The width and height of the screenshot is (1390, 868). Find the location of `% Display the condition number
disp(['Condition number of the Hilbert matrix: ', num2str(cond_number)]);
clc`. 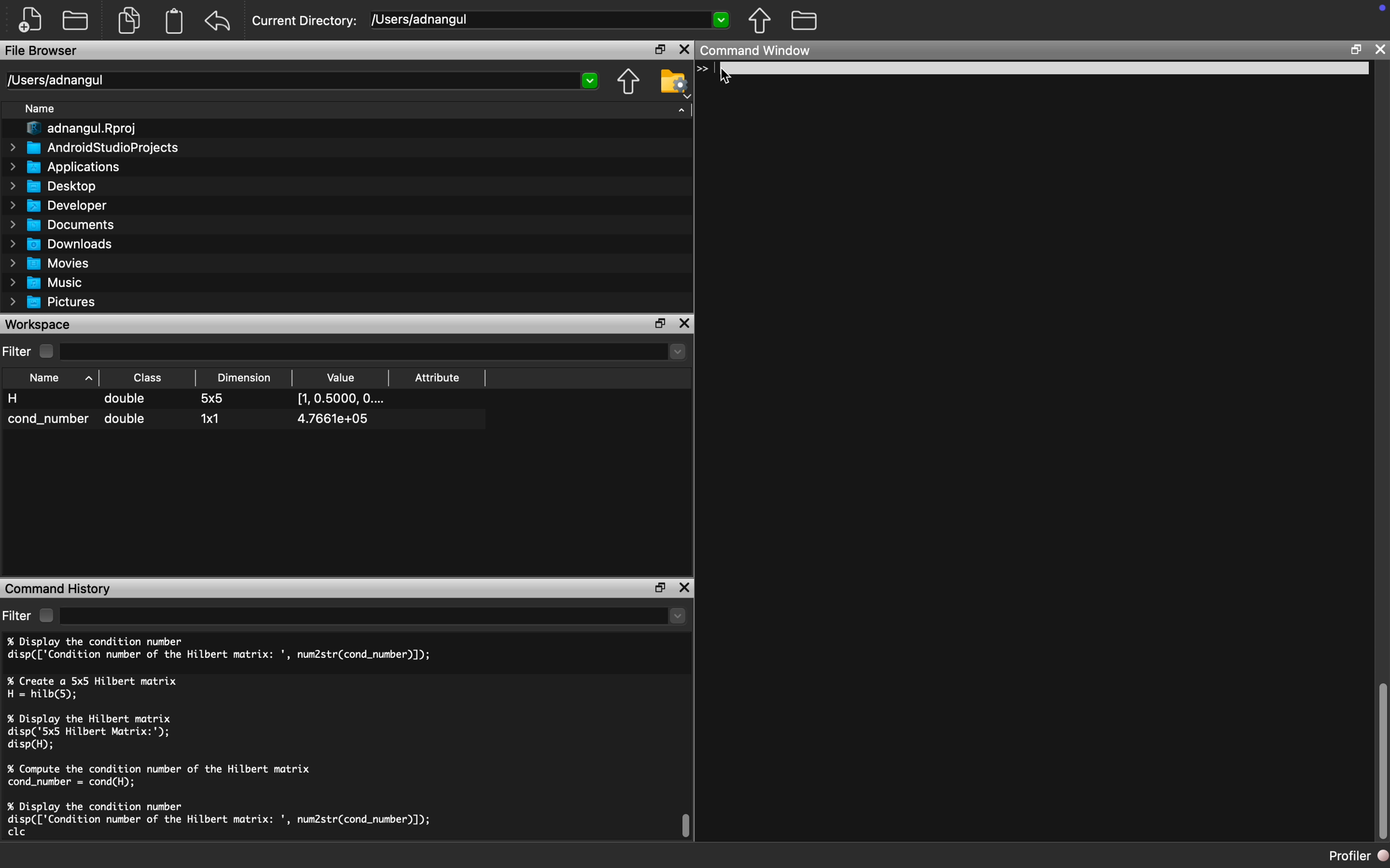

% Display the condition number
disp(['Condition number of the Hilbert matrix: ', num2str(cond_number)]);
clc is located at coordinates (221, 821).